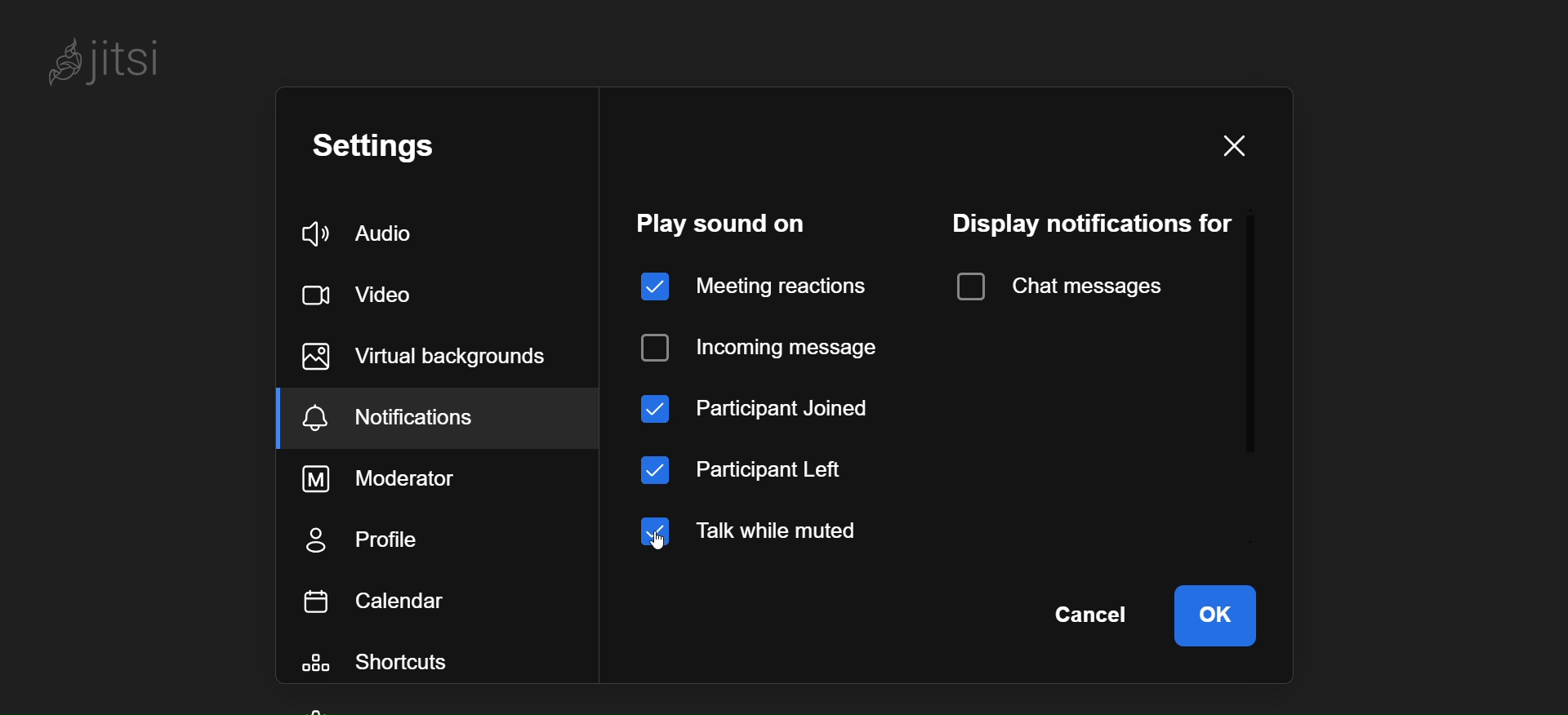 The image size is (1568, 715). I want to click on cancel, so click(1093, 616).